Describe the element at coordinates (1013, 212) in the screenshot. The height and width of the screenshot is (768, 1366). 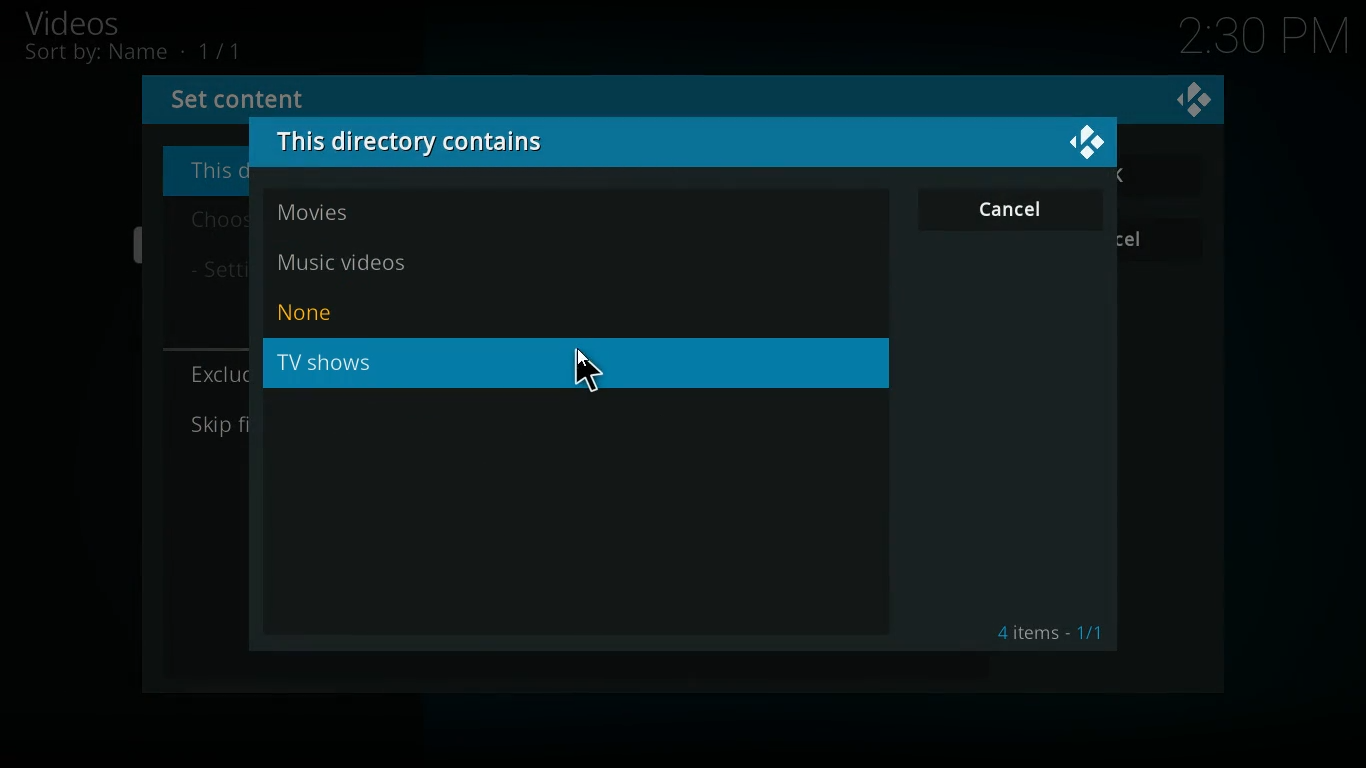
I see `cancel` at that location.